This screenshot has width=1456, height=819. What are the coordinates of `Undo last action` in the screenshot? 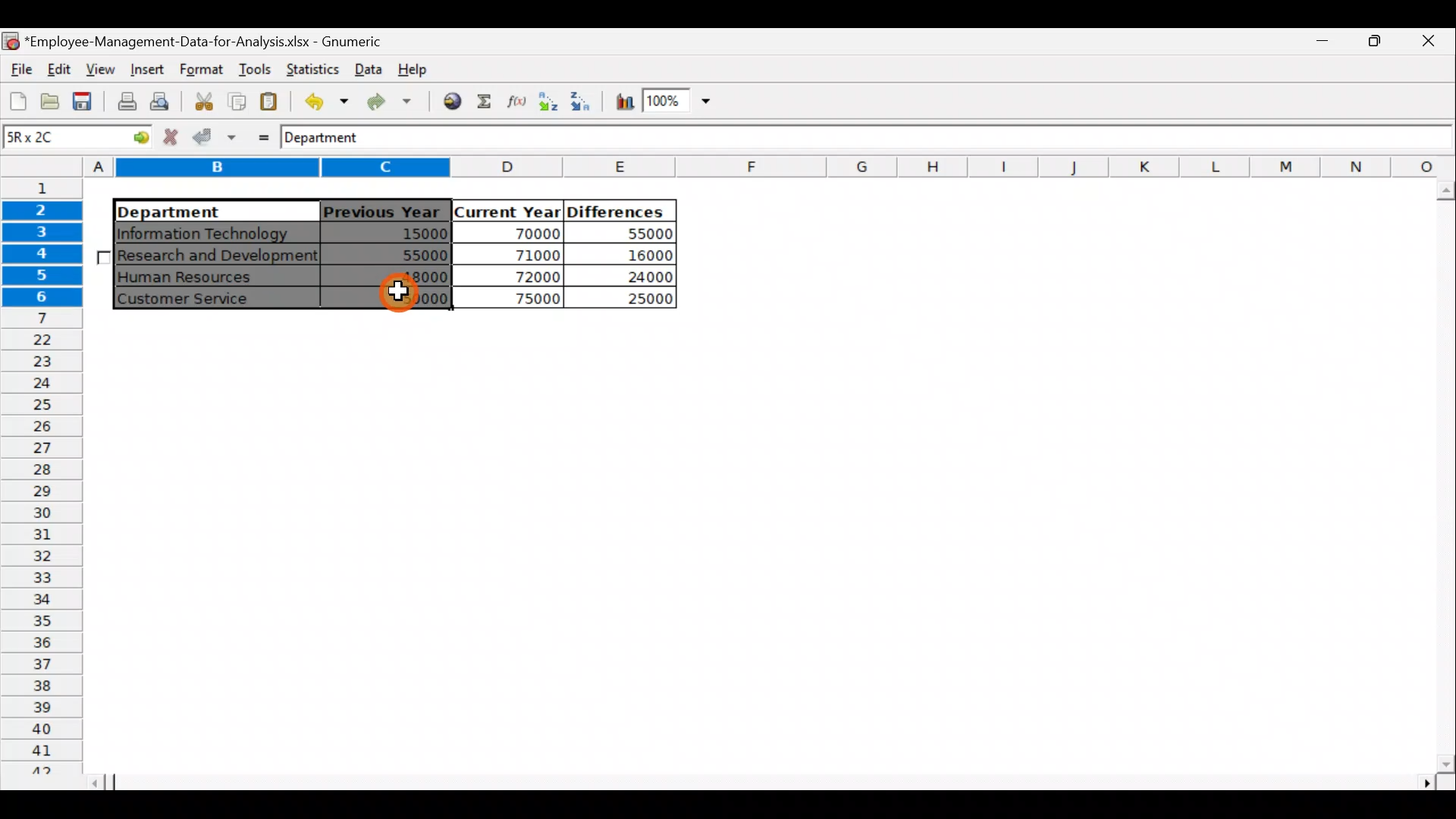 It's located at (324, 101).